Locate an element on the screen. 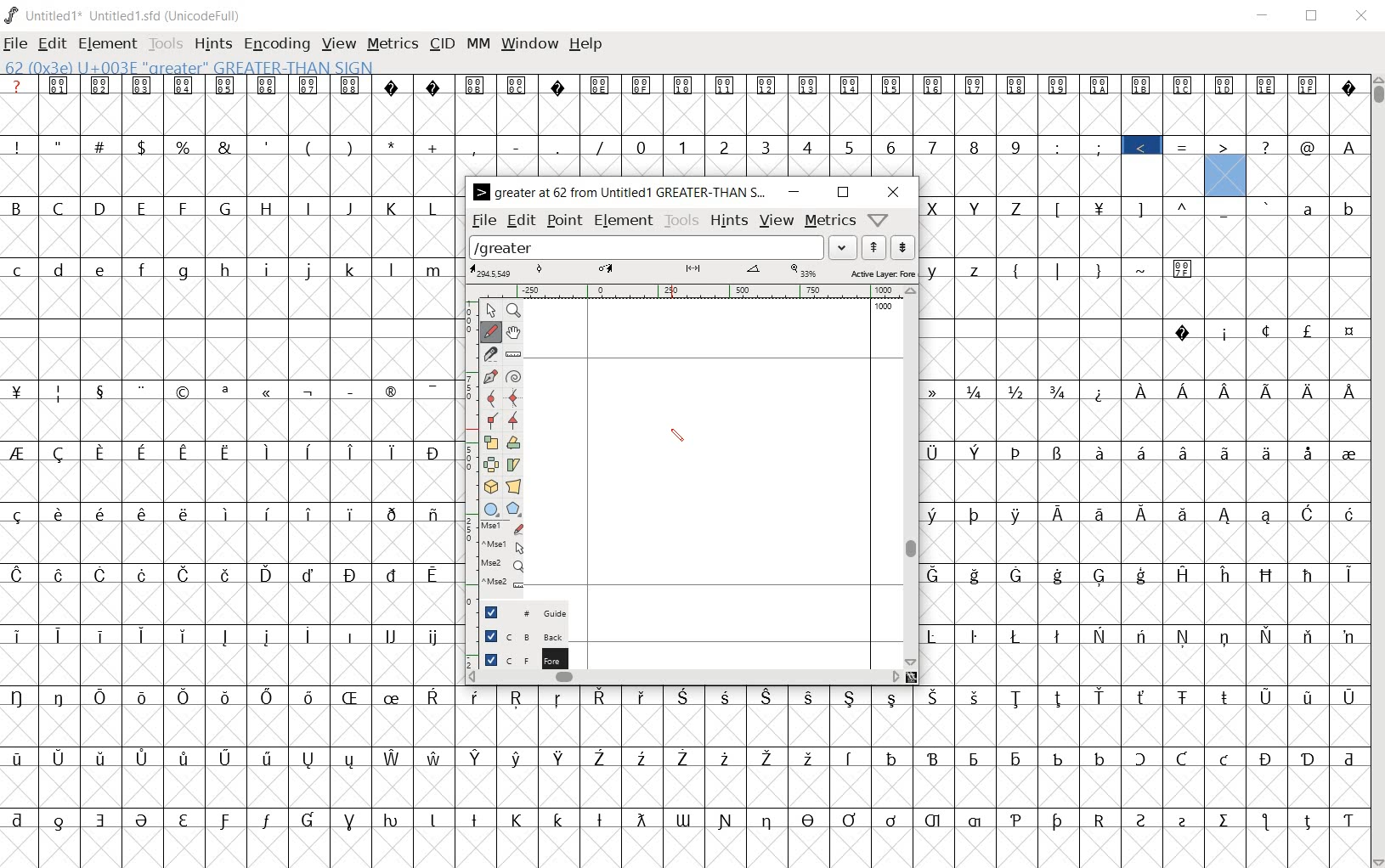 Image resolution: width=1385 pixels, height=868 pixels. rotate the selection in 3D and project back to plane is located at coordinates (491, 486).